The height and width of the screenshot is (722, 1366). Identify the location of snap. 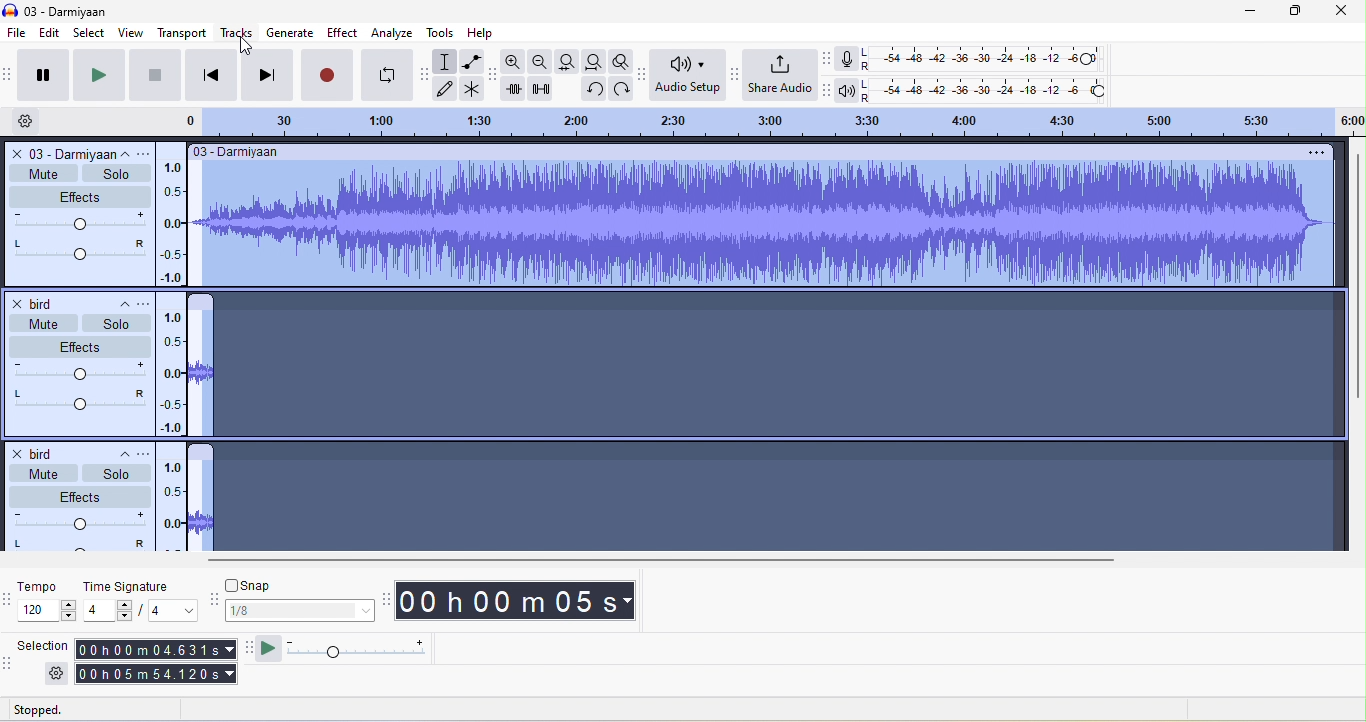
(301, 600).